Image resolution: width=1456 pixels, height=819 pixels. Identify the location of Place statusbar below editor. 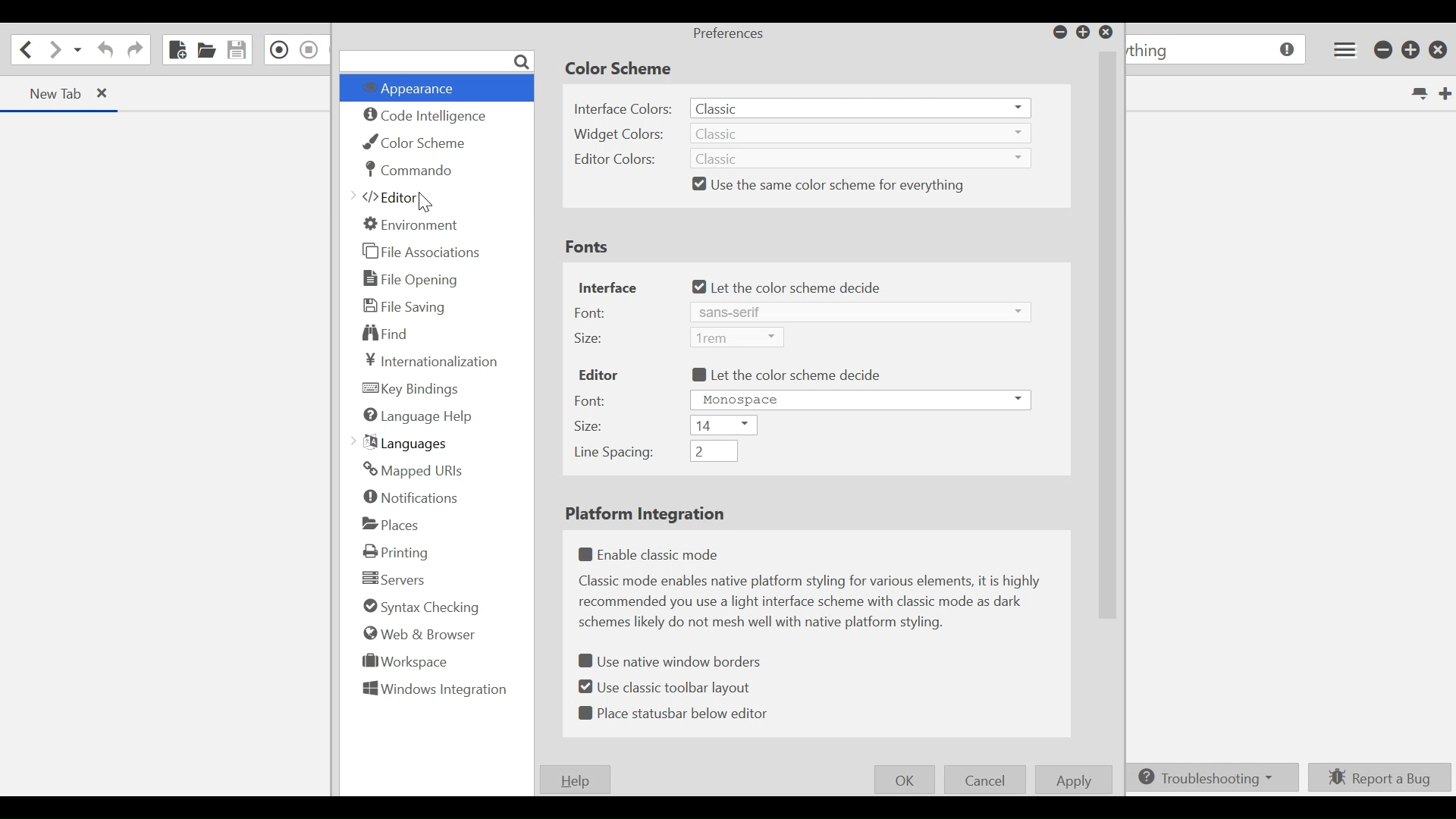
(676, 713).